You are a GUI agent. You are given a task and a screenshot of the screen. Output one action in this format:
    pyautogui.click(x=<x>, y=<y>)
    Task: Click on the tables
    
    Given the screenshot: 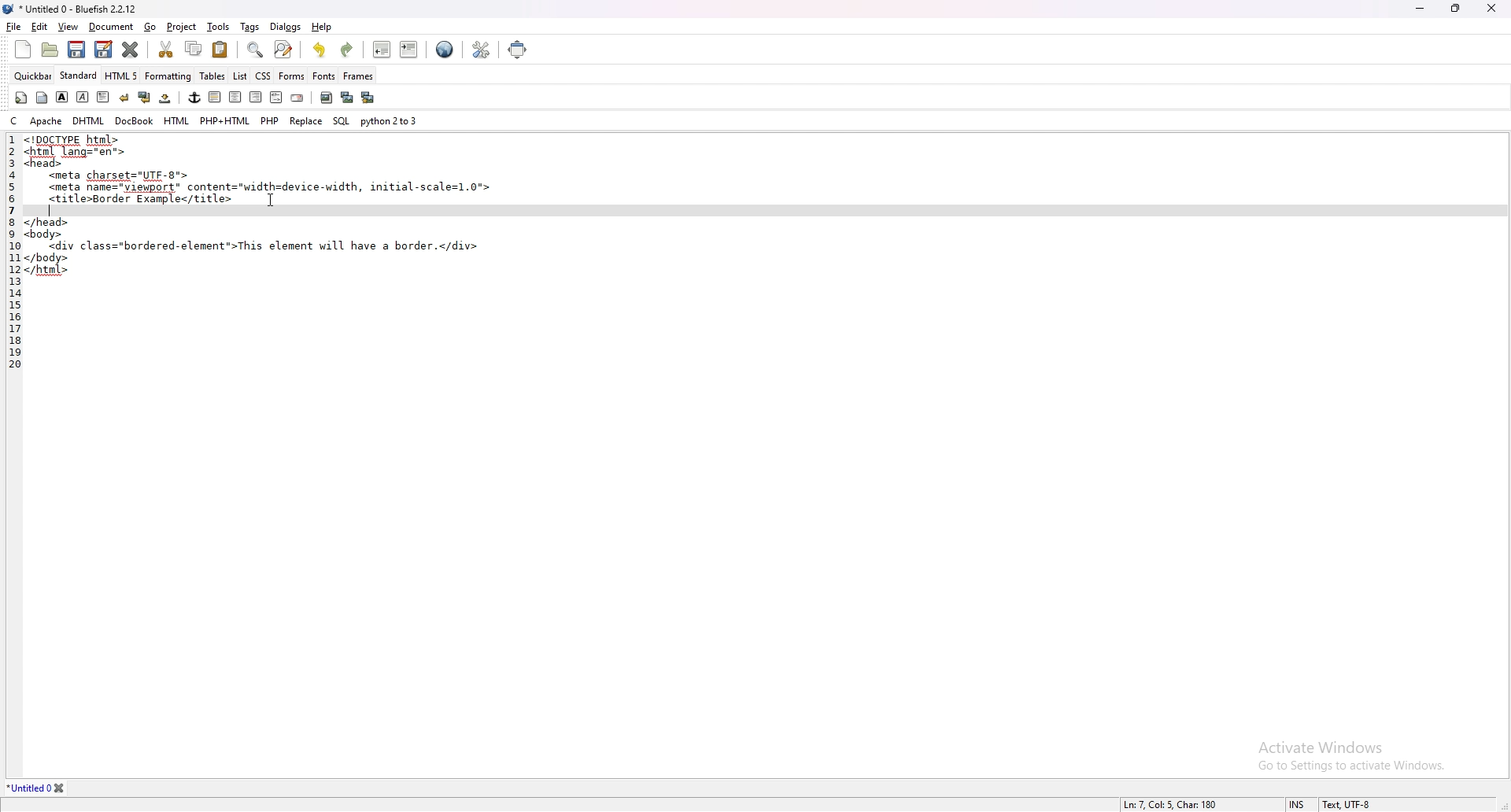 What is the action you would take?
    pyautogui.click(x=213, y=76)
    